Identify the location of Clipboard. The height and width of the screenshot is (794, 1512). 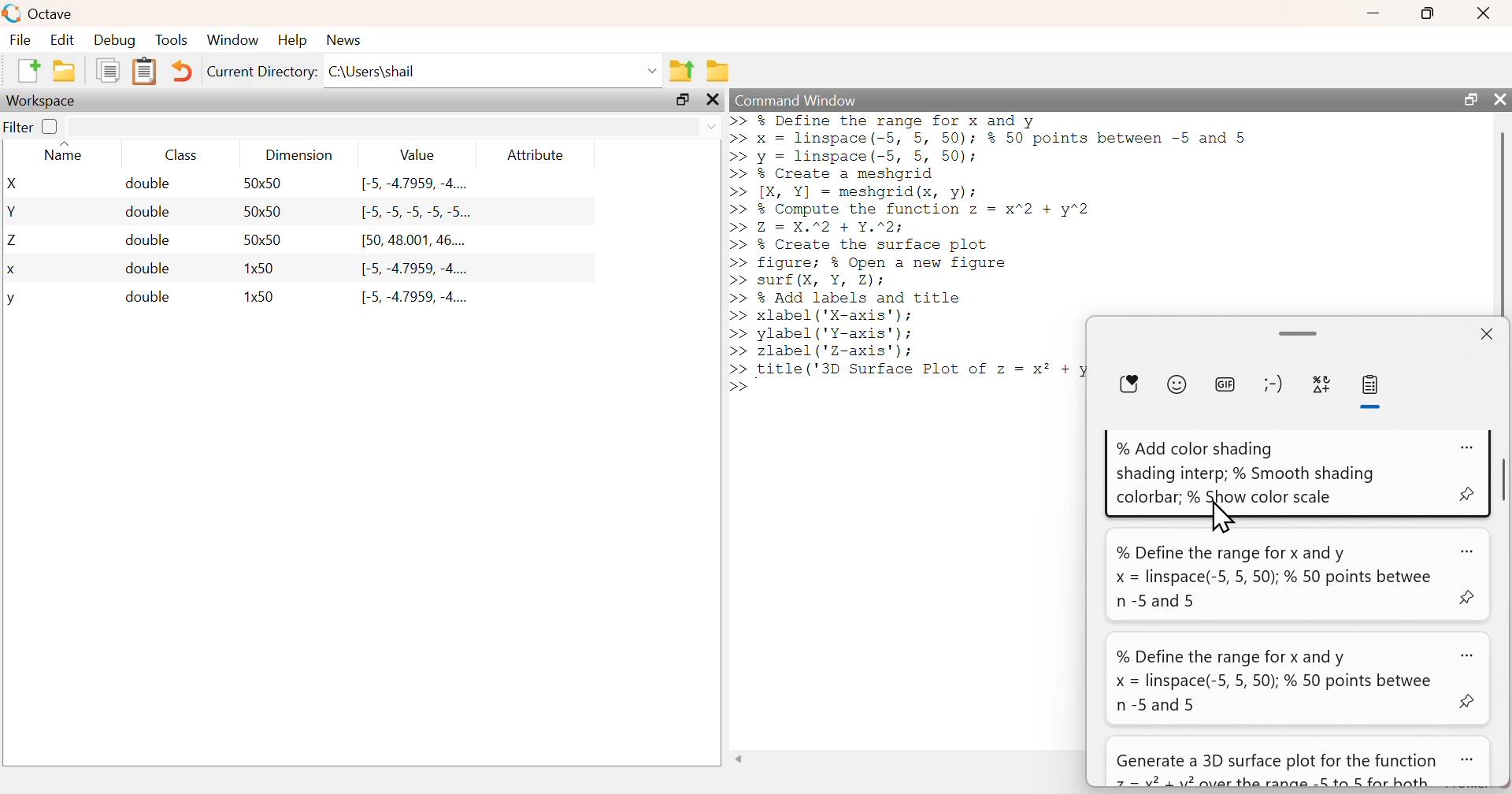
(143, 72).